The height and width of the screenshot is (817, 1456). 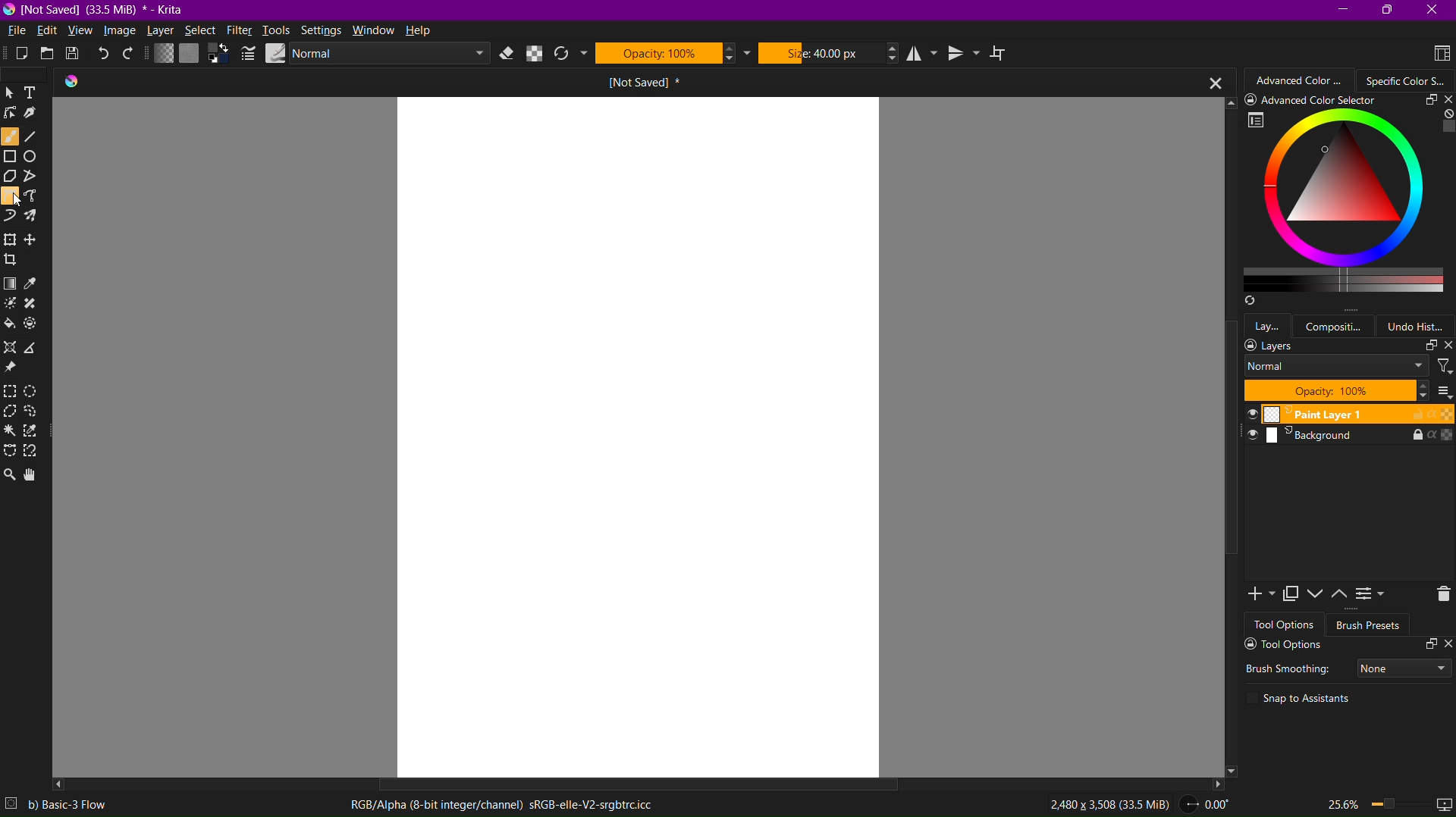 I want to click on Krita logo, so click(x=72, y=82).